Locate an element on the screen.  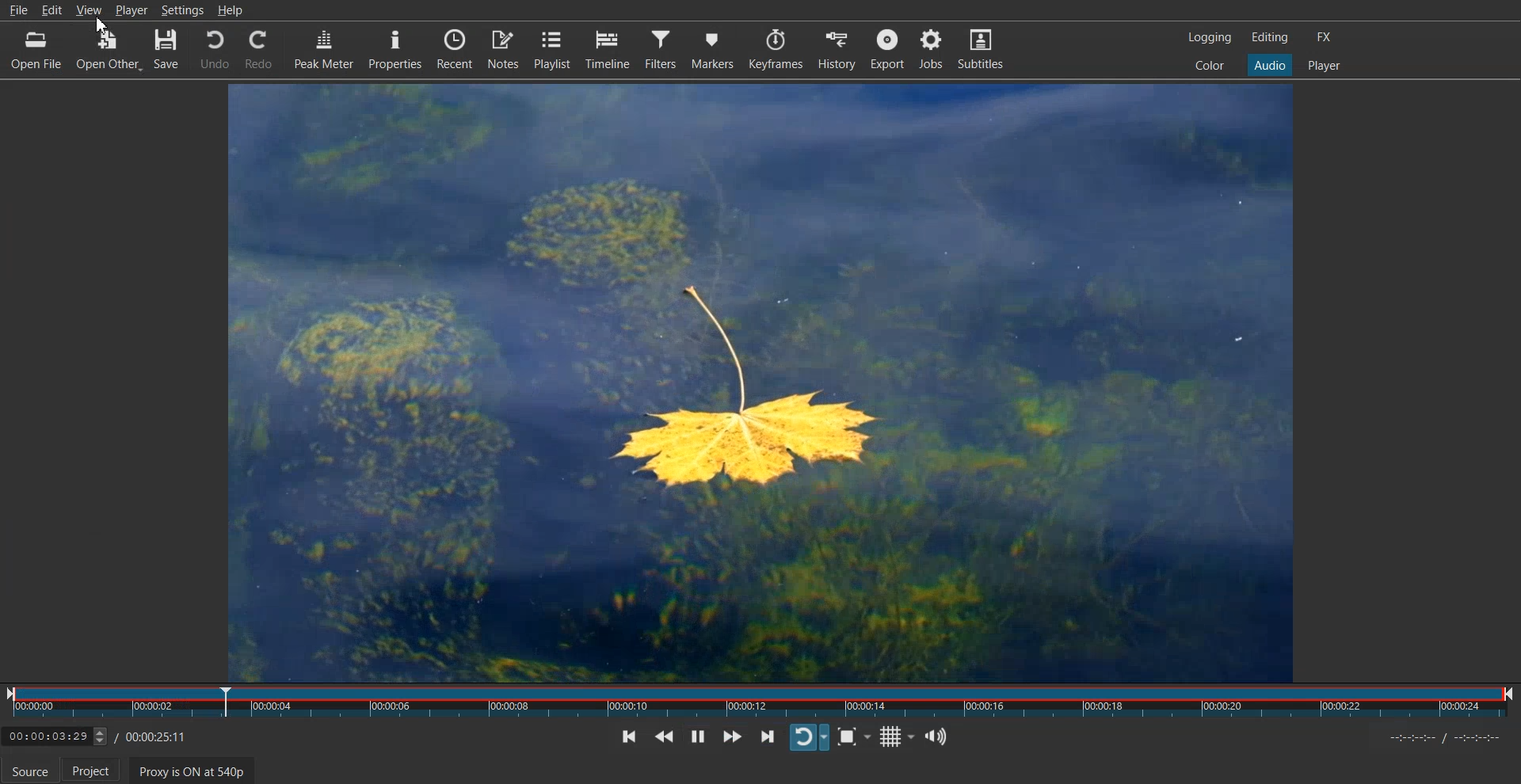
Play quickly backwards is located at coordinates (664, 736).